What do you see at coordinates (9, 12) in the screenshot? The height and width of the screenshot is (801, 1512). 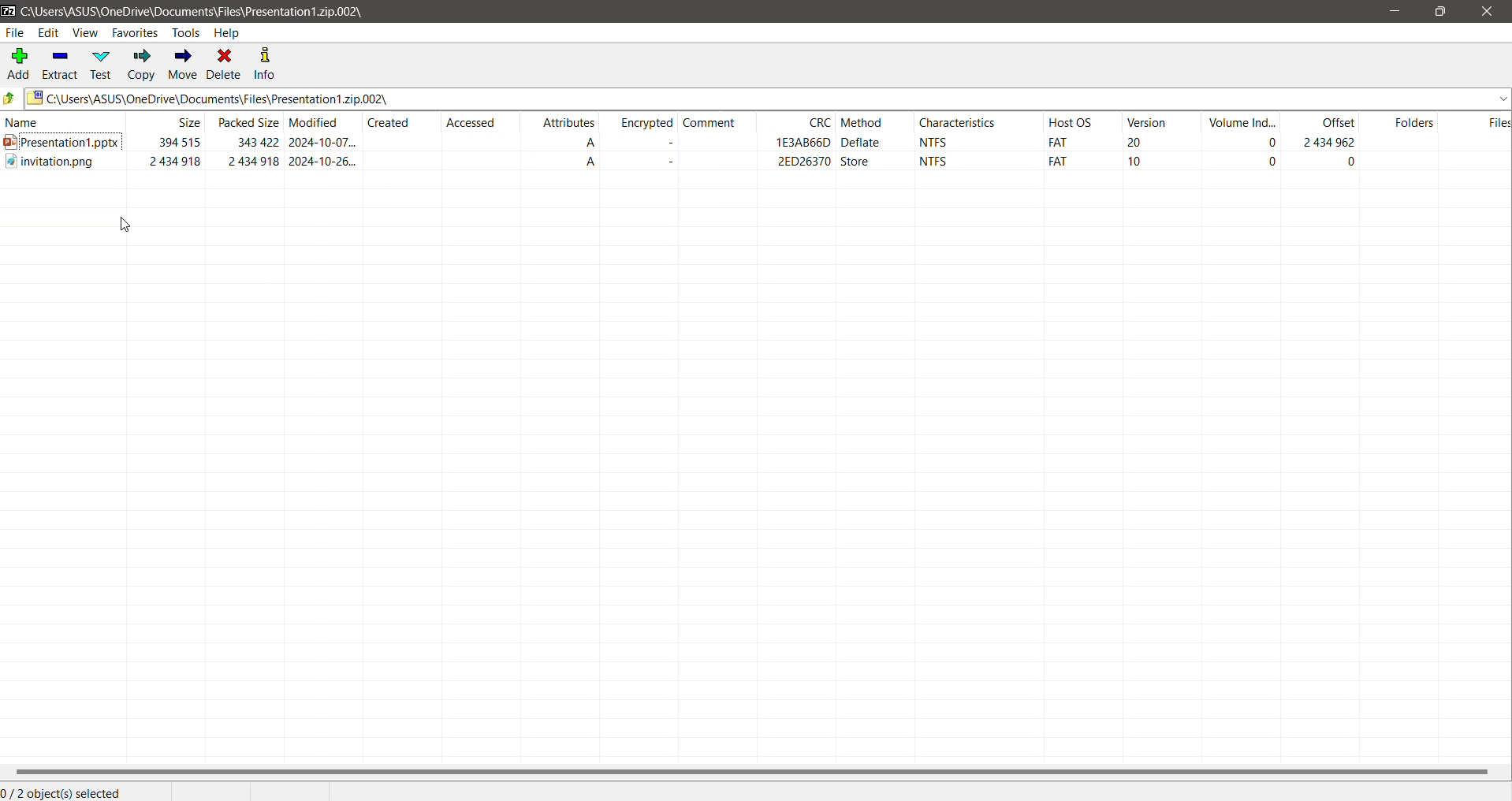 I see `7 zipLogo` at bounding box center [9, 12].